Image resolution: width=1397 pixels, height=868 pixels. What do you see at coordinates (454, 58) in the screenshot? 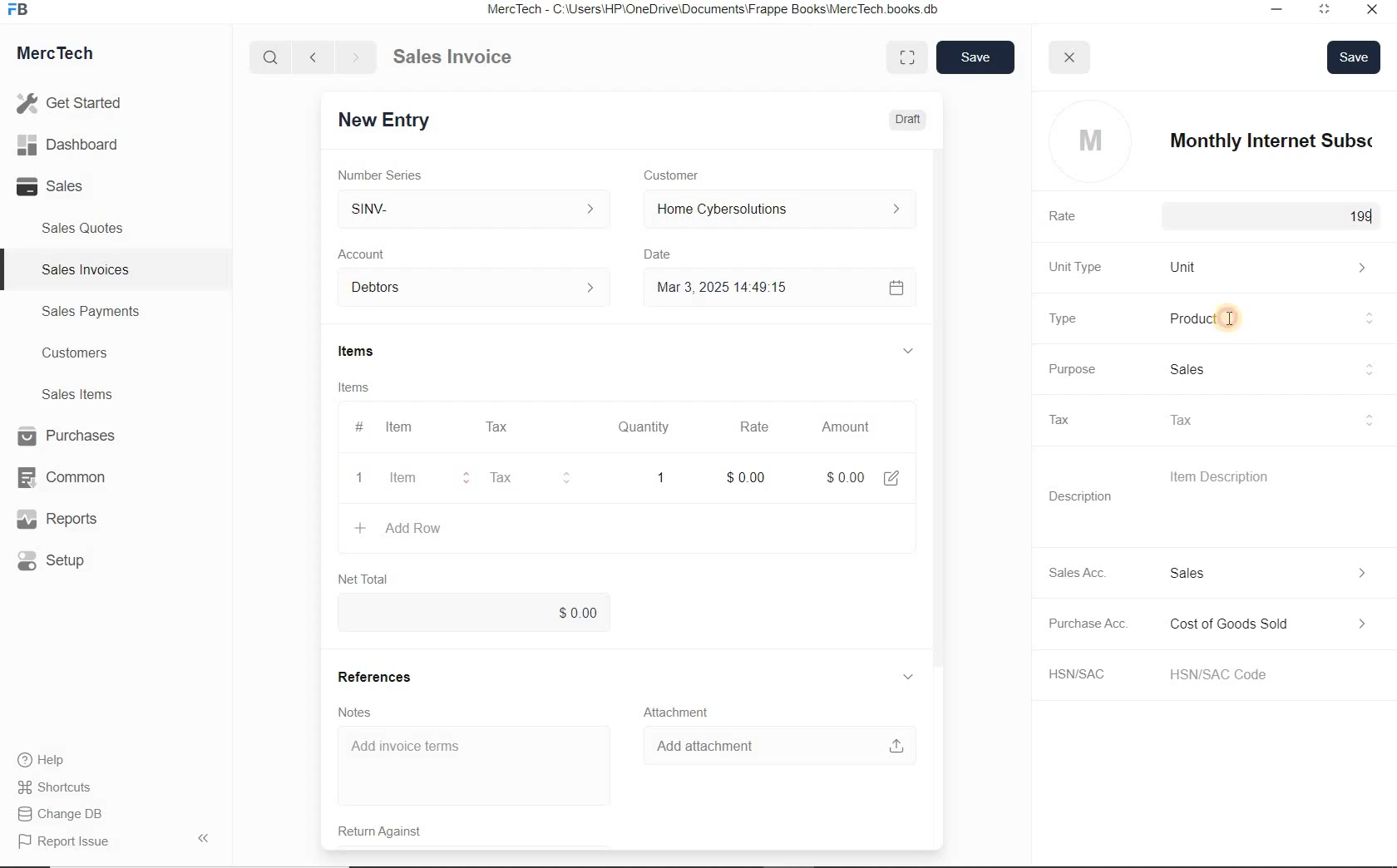
I see `Sales Invoice` at bounding box center [454, 58].